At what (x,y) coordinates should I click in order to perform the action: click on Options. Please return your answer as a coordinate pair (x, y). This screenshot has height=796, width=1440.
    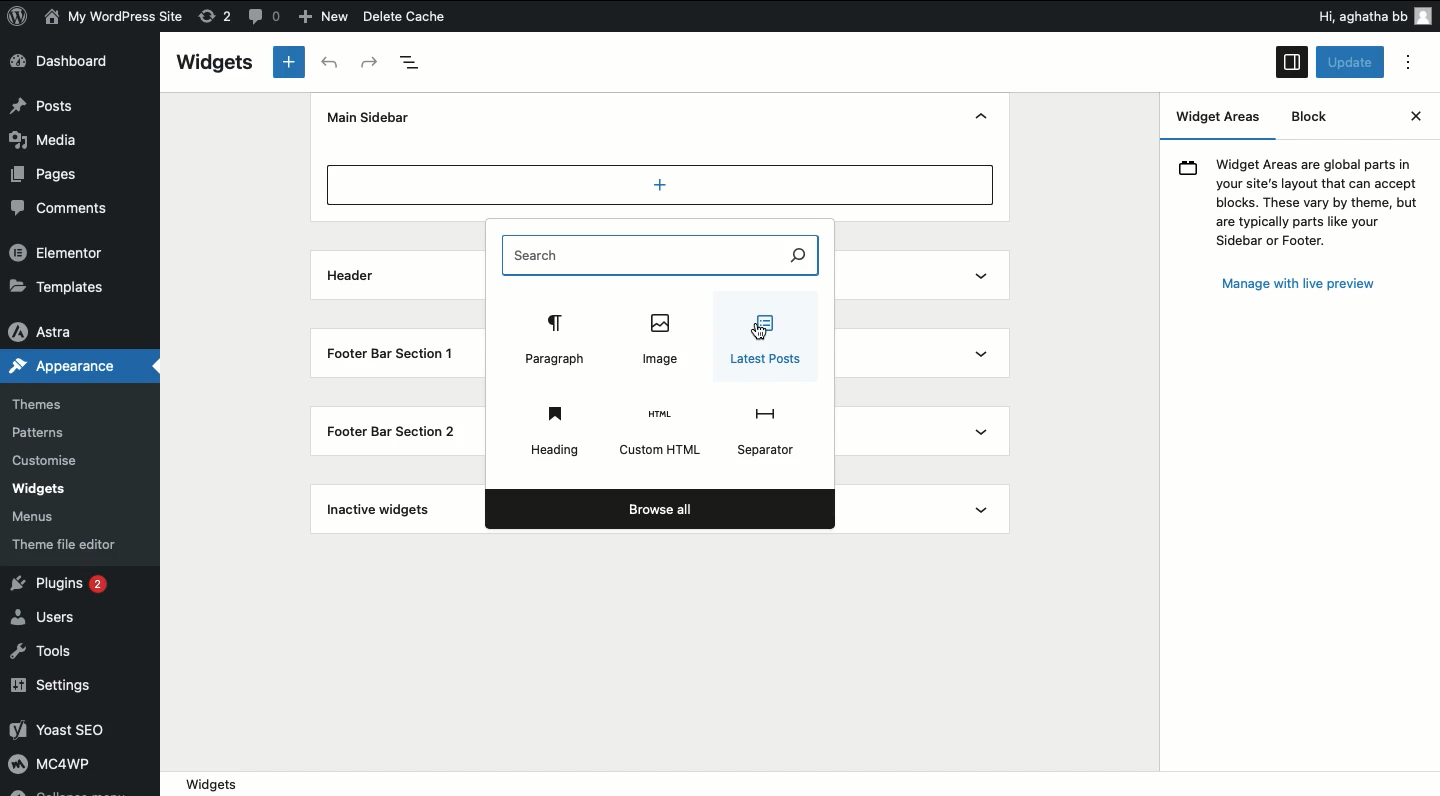
    Looking at the image, I should click on (1408, 63).